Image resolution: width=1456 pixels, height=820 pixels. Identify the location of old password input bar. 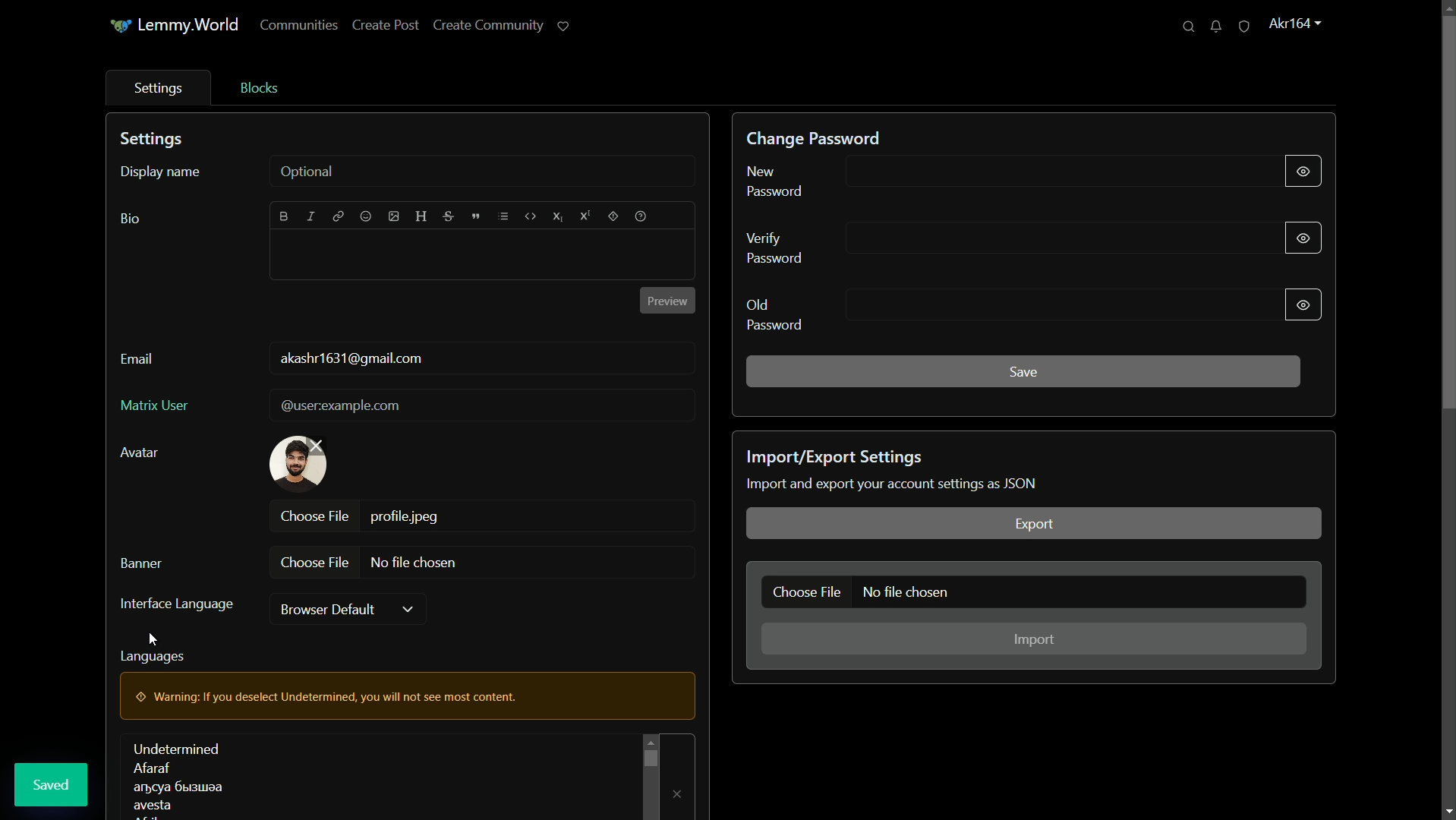
(1050, 306).